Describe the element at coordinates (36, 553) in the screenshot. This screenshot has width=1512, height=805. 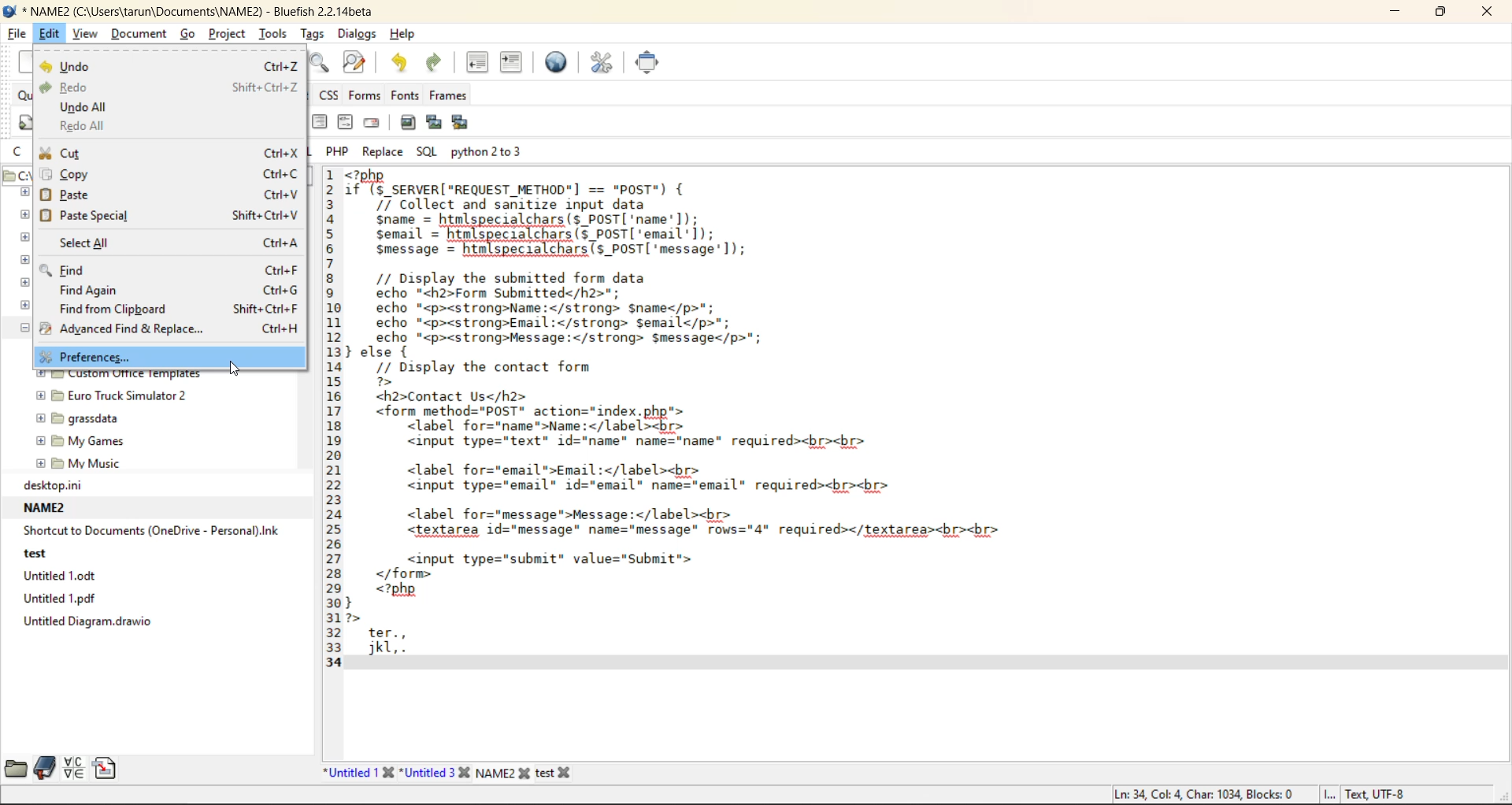
I see `test` at that location.